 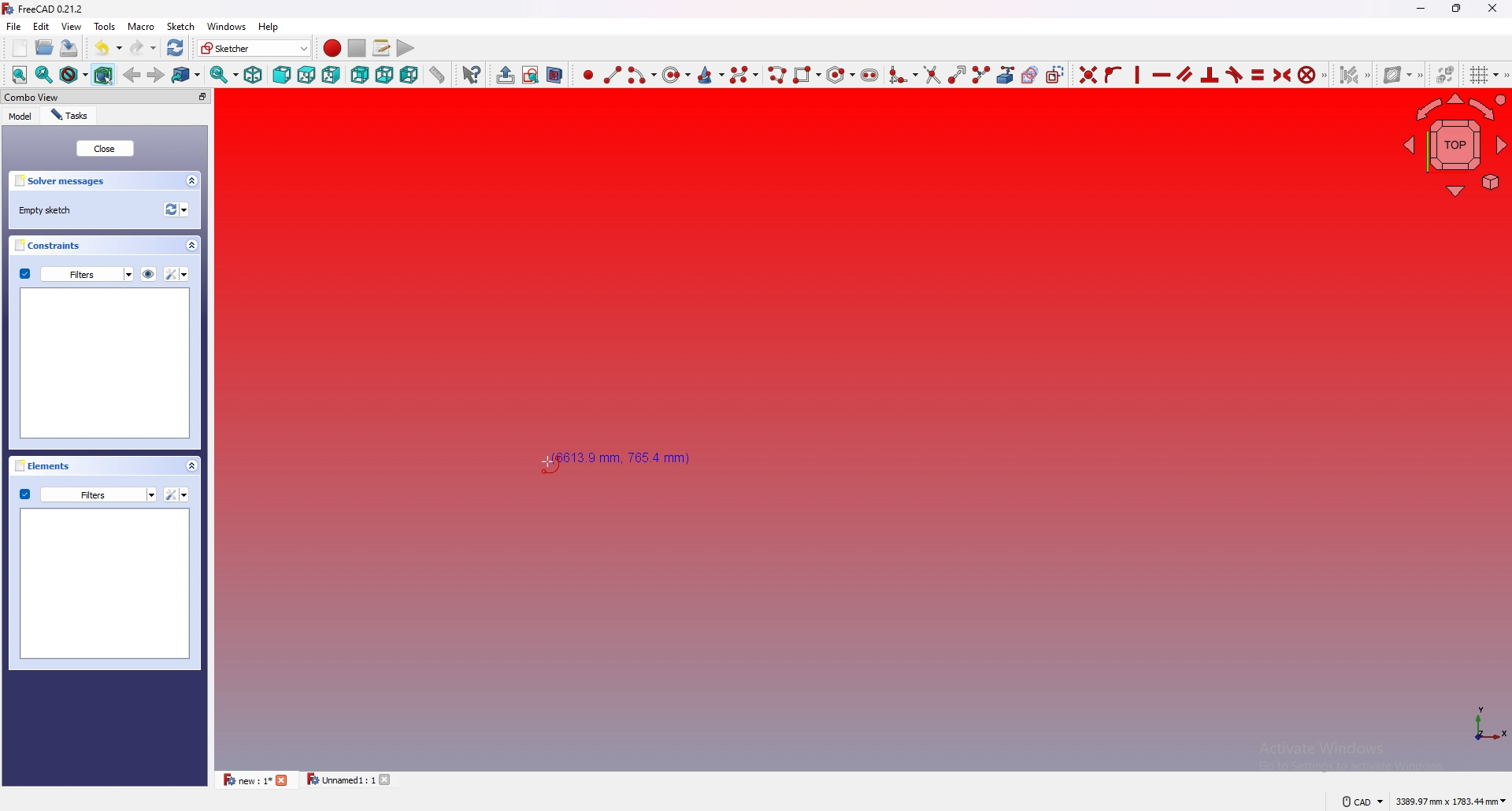 What do you see at coordinates (1162, 75) in the screenshot?
I see `constraint horizontally` at bounding box center [1162, 75].